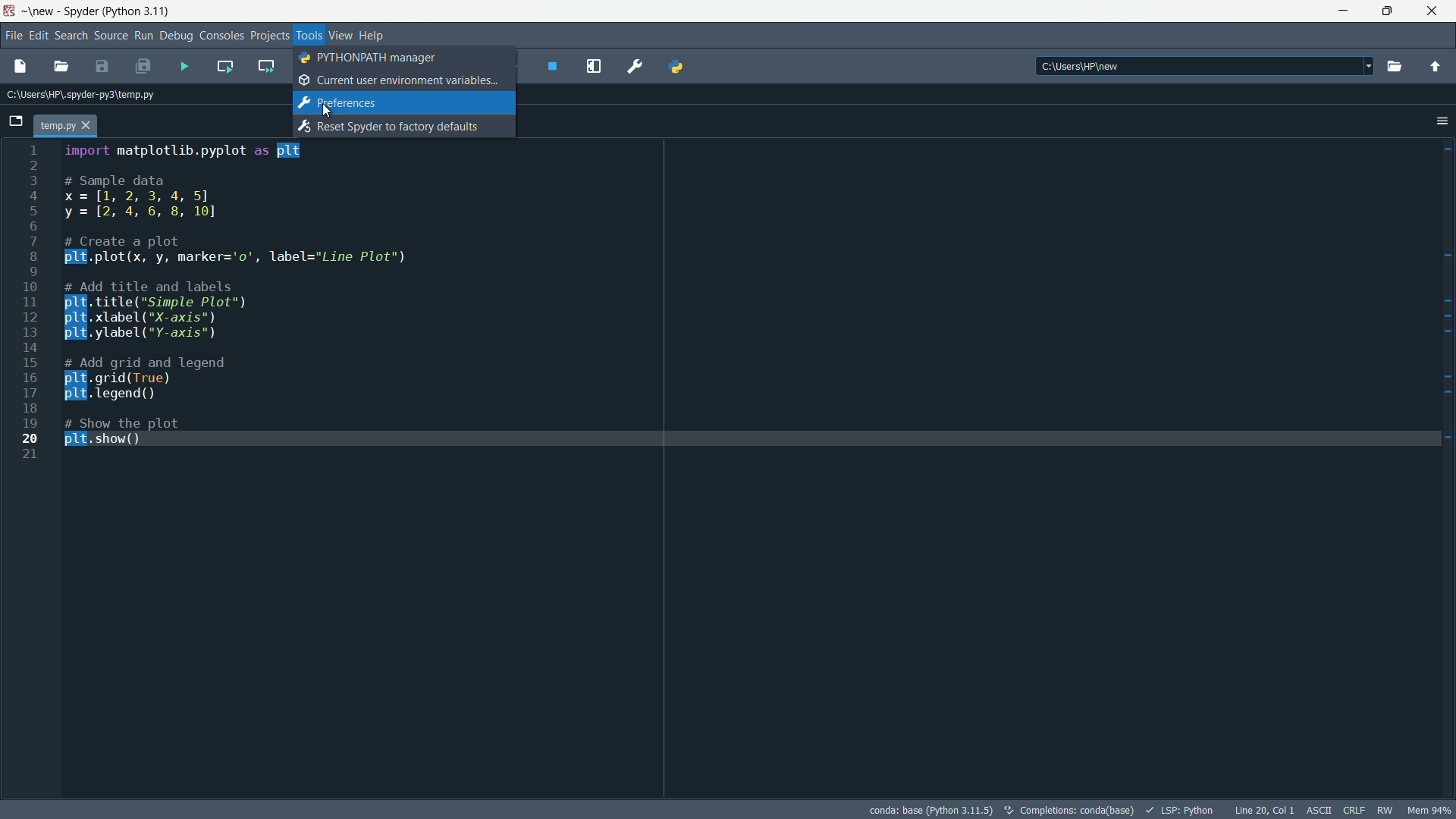 Image resolution: width=1456 pixels, height=819 pixels. I want to click on run file, so click(185, 67).